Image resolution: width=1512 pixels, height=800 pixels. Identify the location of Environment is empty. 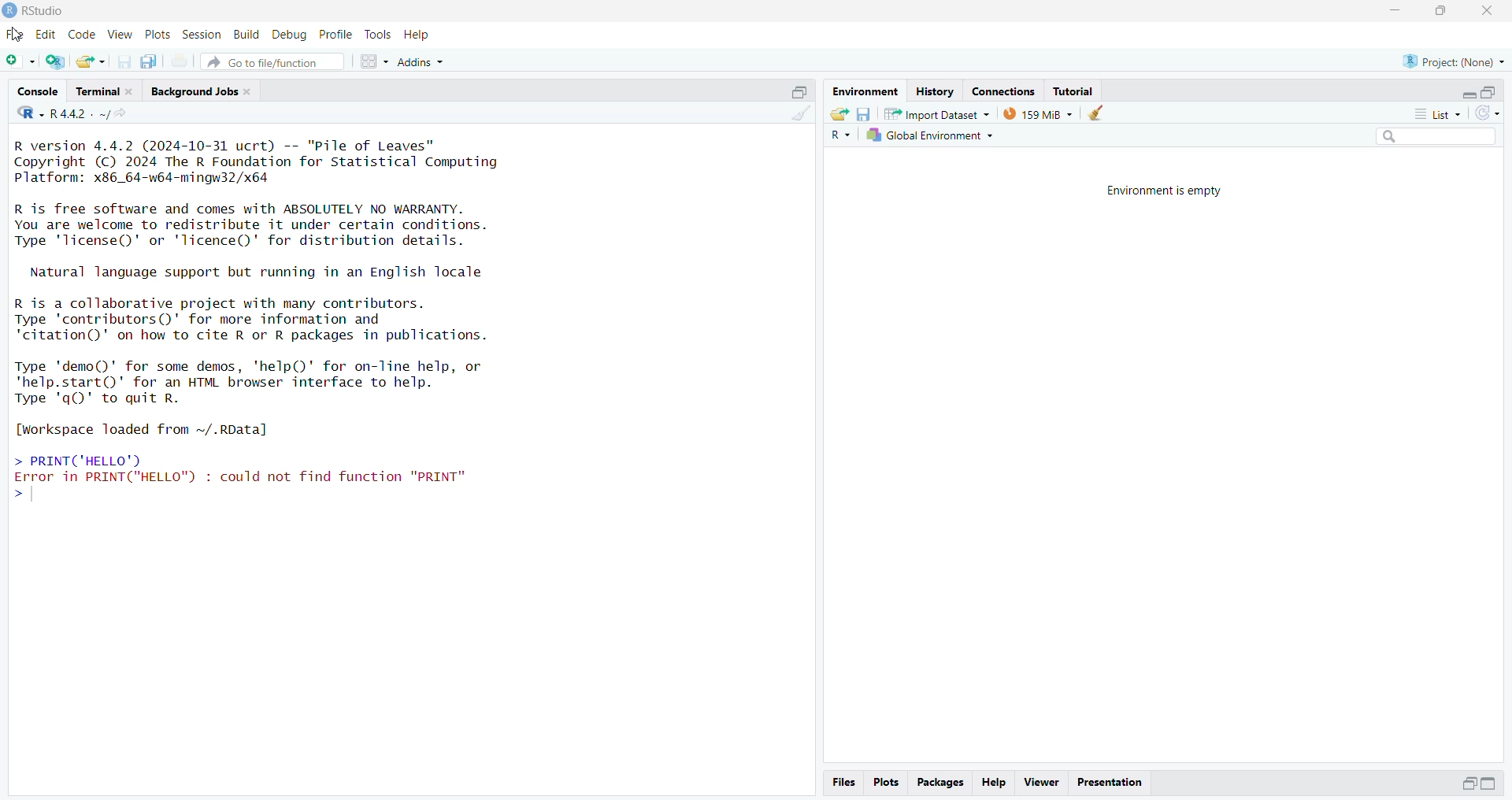
(1169, 191).